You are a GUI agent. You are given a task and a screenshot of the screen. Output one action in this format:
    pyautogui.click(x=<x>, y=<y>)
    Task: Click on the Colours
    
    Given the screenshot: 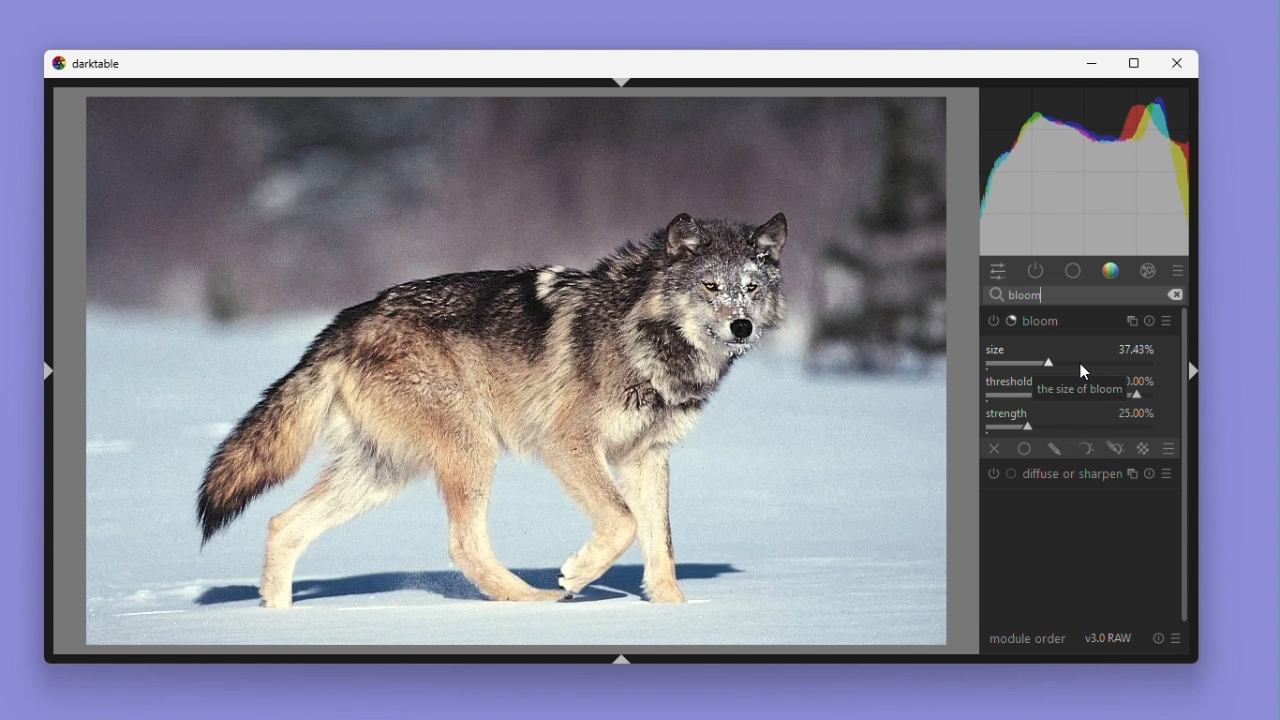 What is the action you would take?
    pyautogui.click(x=1111, y=270)
    